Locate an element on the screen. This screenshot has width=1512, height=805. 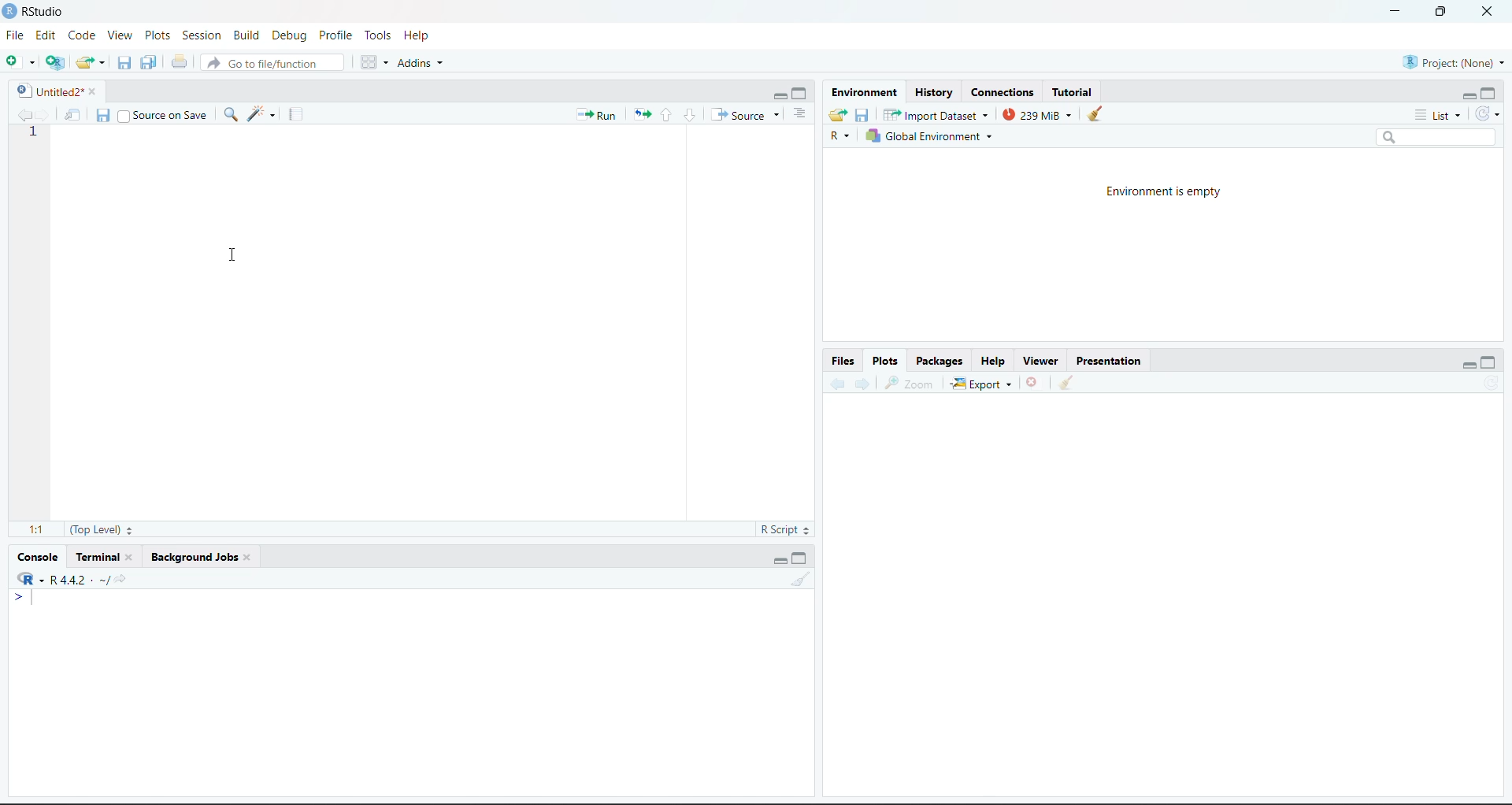
Code Tools is located at coordinates (264, 112).